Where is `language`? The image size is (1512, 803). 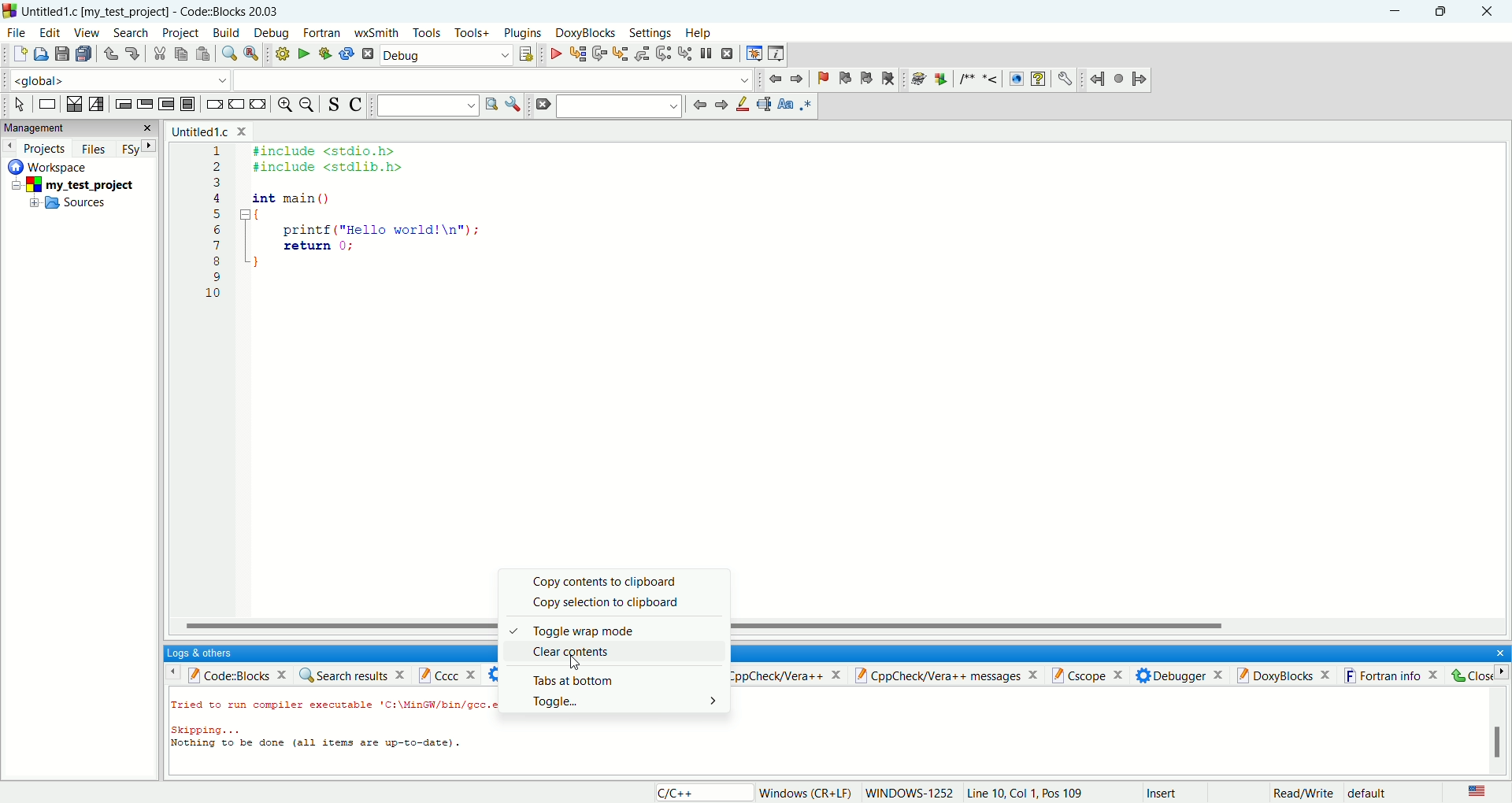 language is located at coordinates (1477, 792).